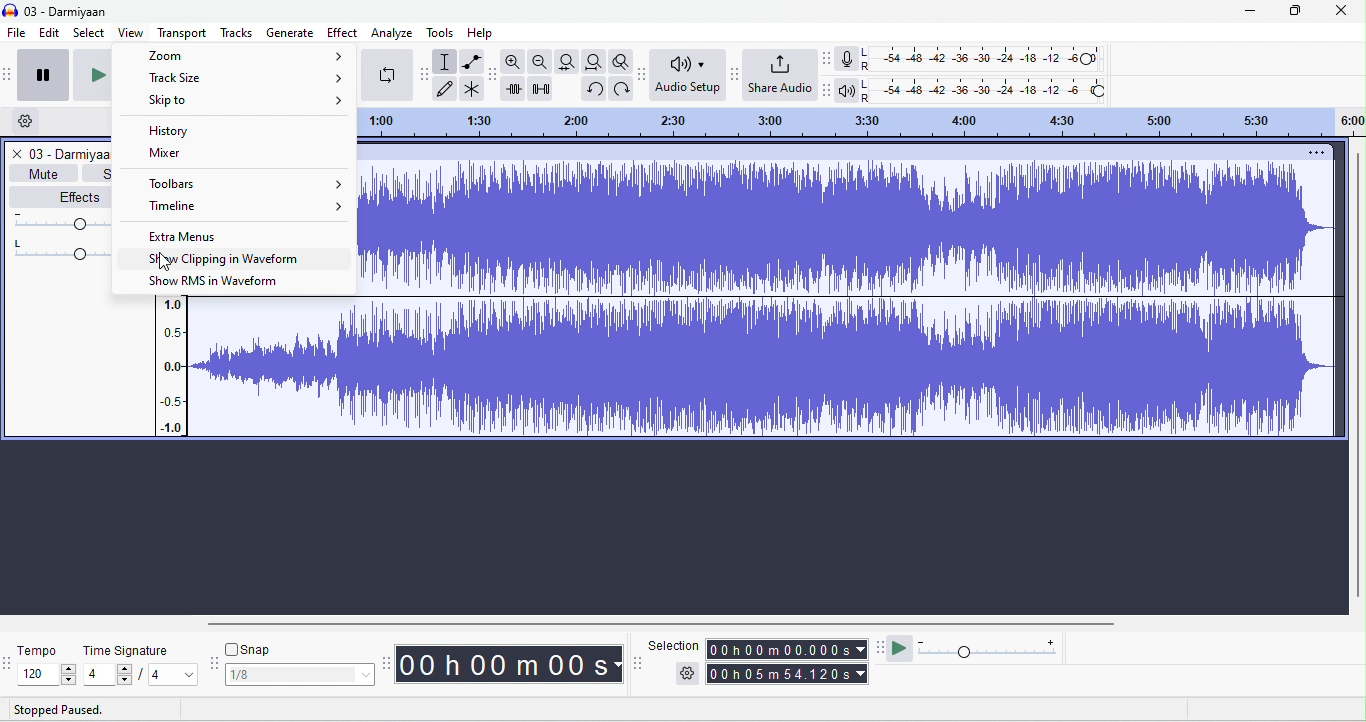 The width and height of the screenshot is (1366, 722). What do you see at coordinates (47, 34) in the screenshot?
I see `edit` at bounding box center [47, 34].